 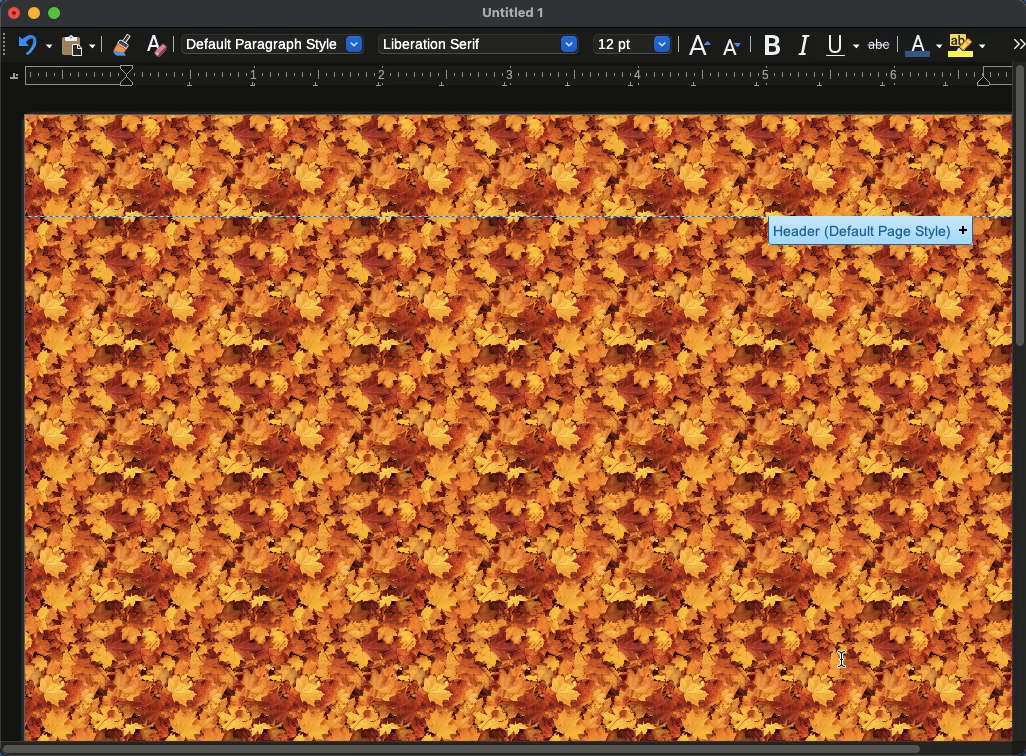 I want to click on cursor, so click(x=842, y=662).